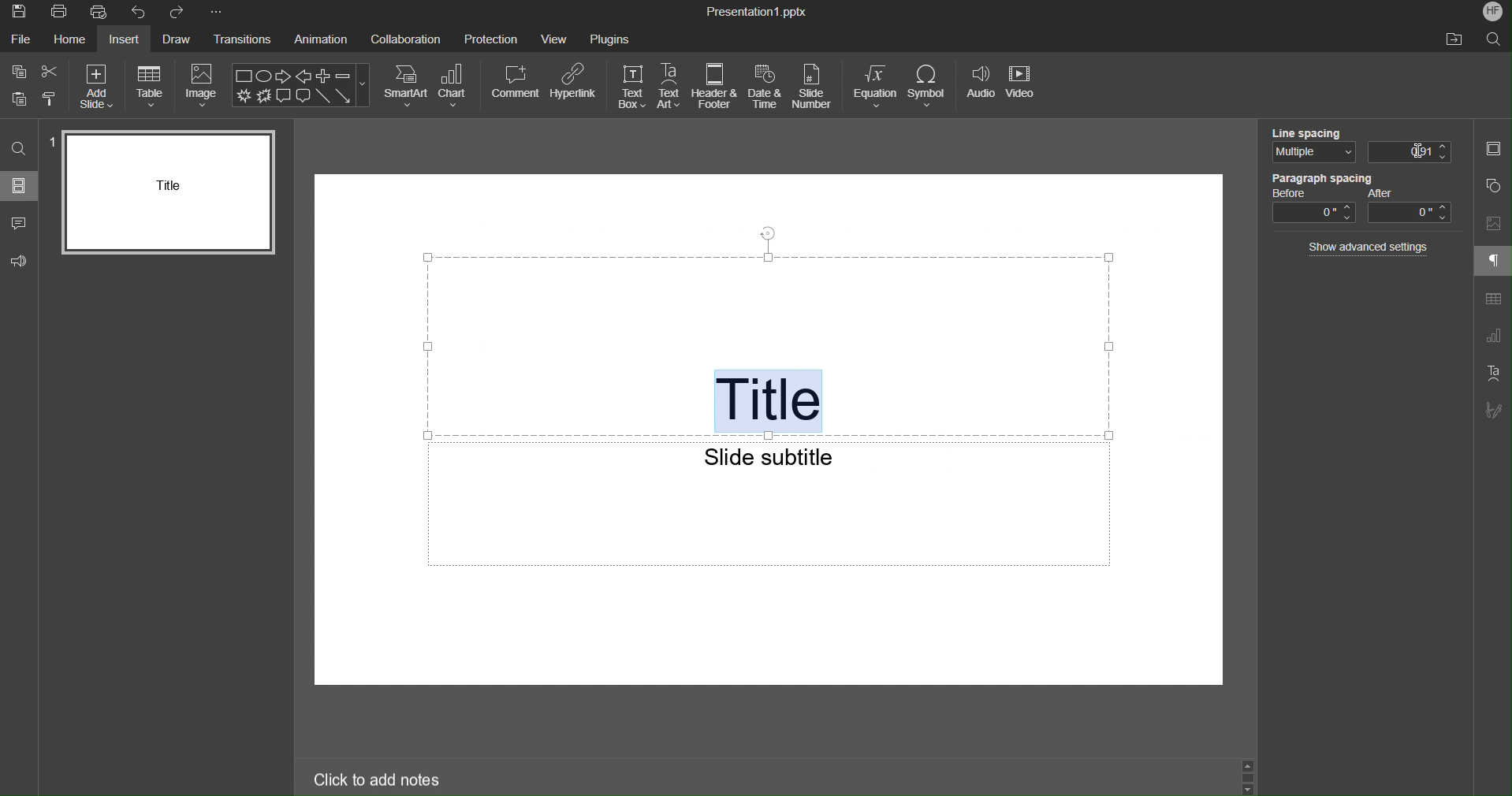  Describe the element at coordinates (1323, 178) in the screenshot. I see `Paragraph Spacing` at that location.